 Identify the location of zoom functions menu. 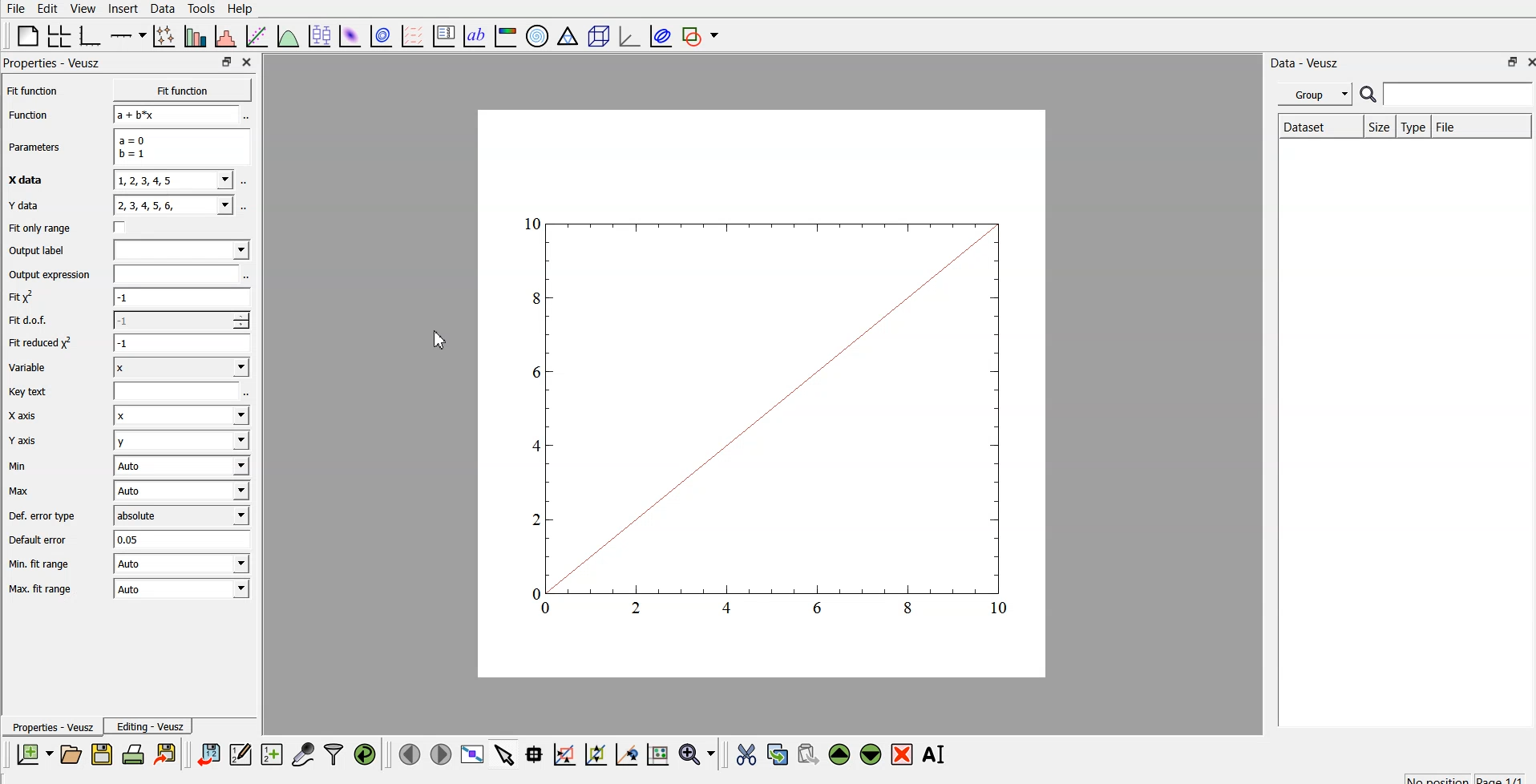
(697, 757).